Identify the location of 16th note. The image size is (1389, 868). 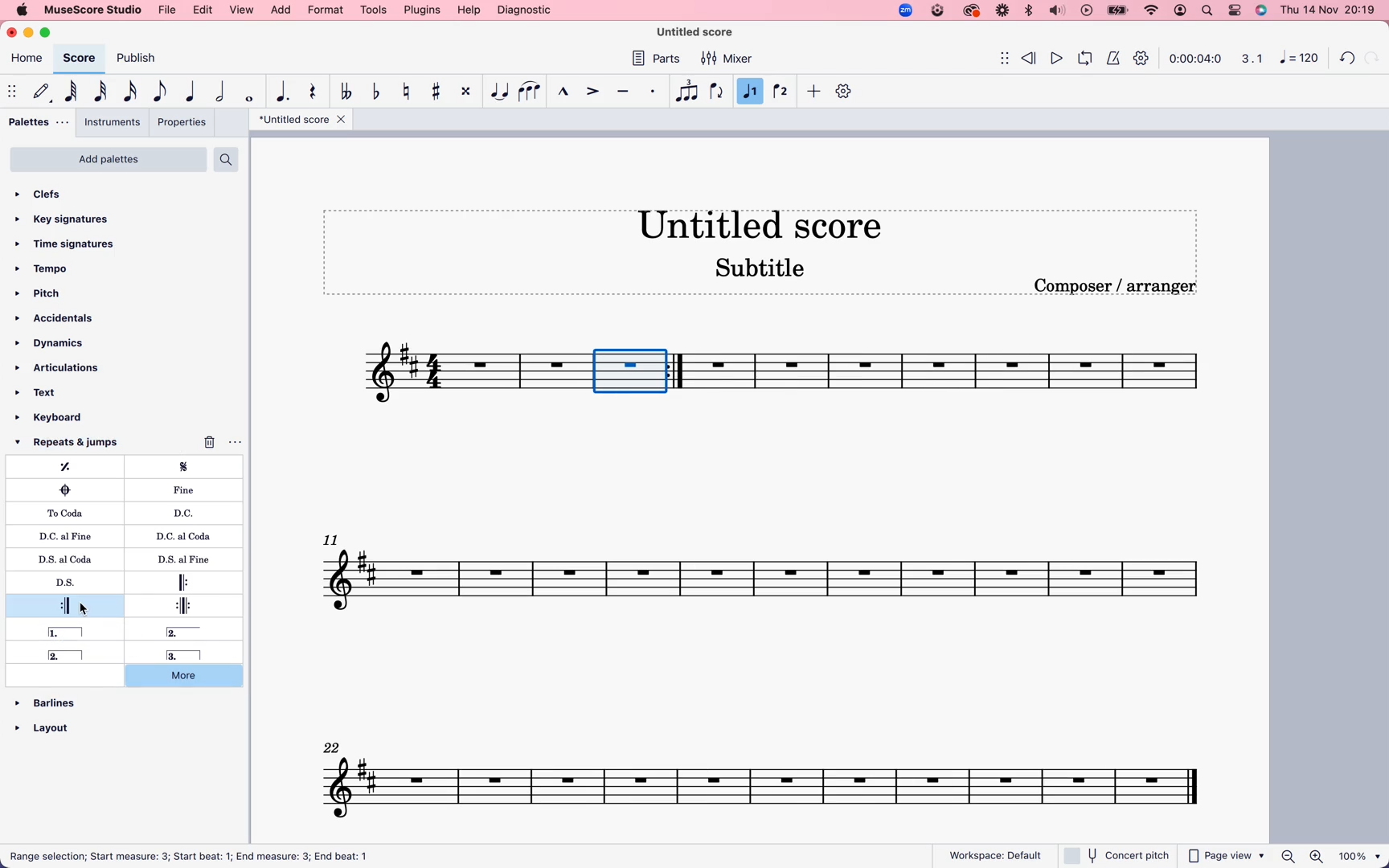
(133, 91).